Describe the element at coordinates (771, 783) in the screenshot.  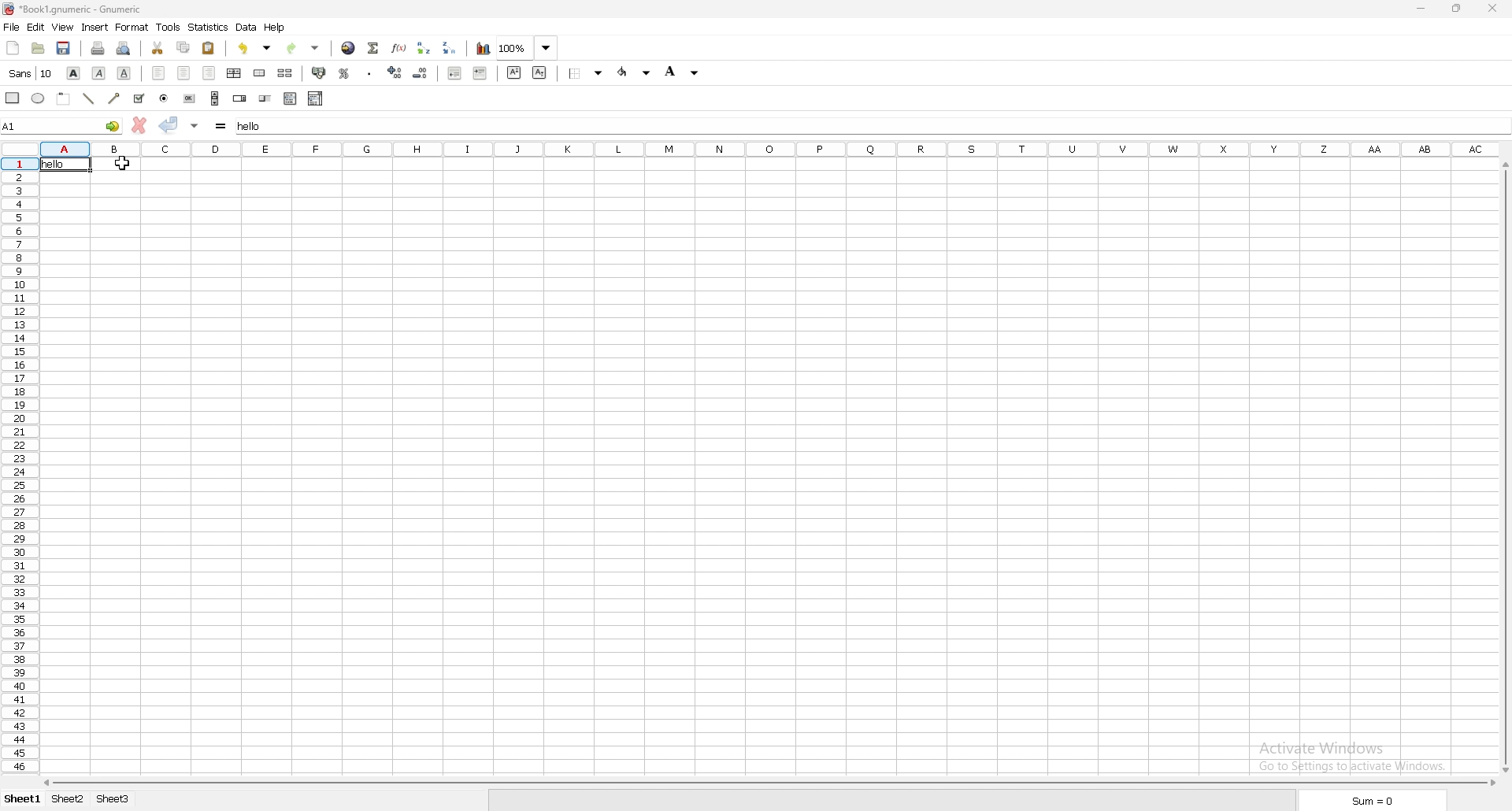
I see `scroll bar` at that location.